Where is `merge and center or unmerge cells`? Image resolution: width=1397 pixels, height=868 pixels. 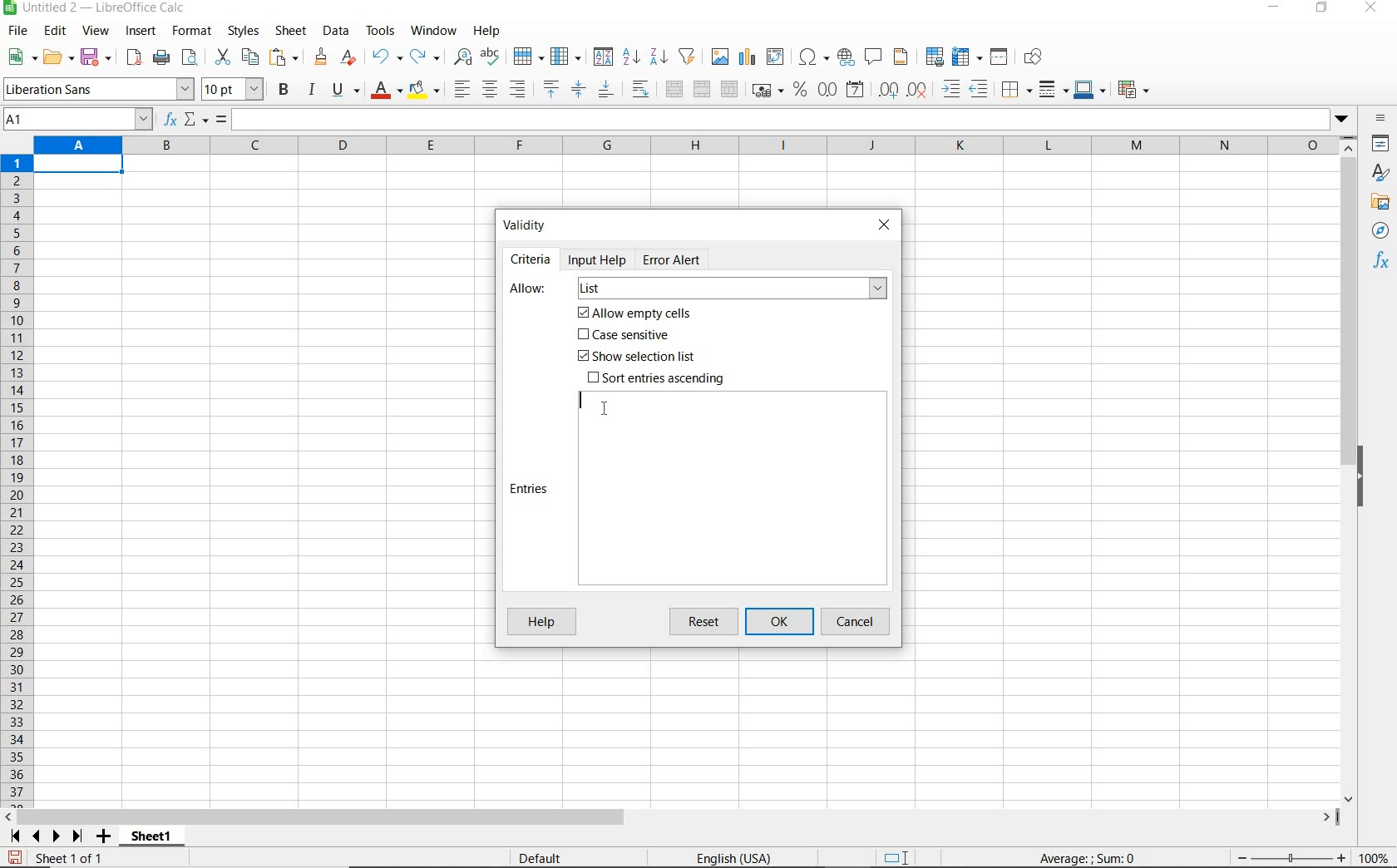
merge and center or unmerge cells is located at coordinates (674, 90).